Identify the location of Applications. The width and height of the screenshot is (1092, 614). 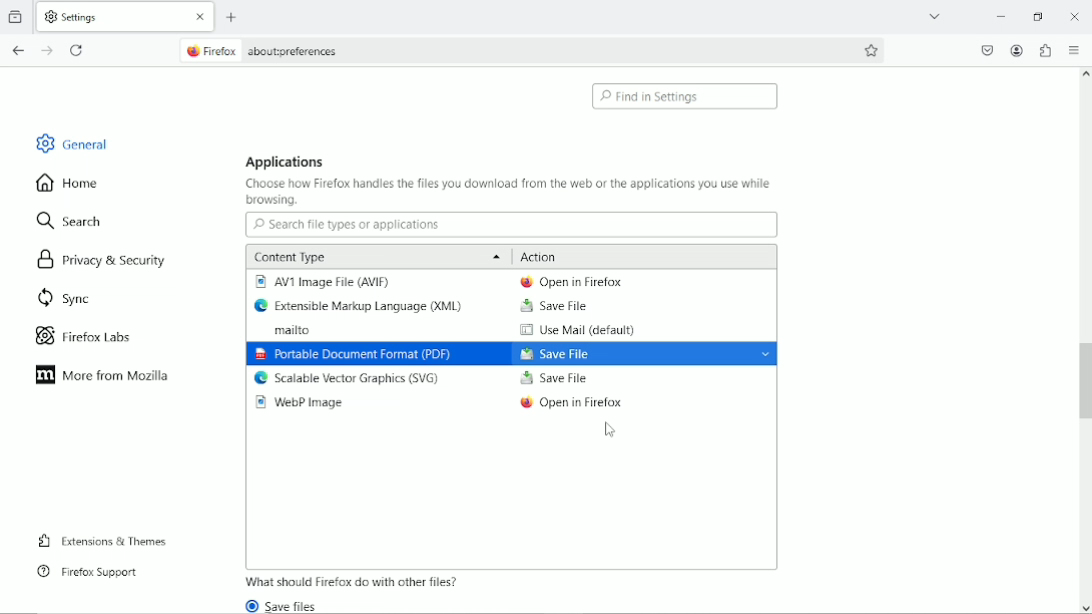
(286, 161).